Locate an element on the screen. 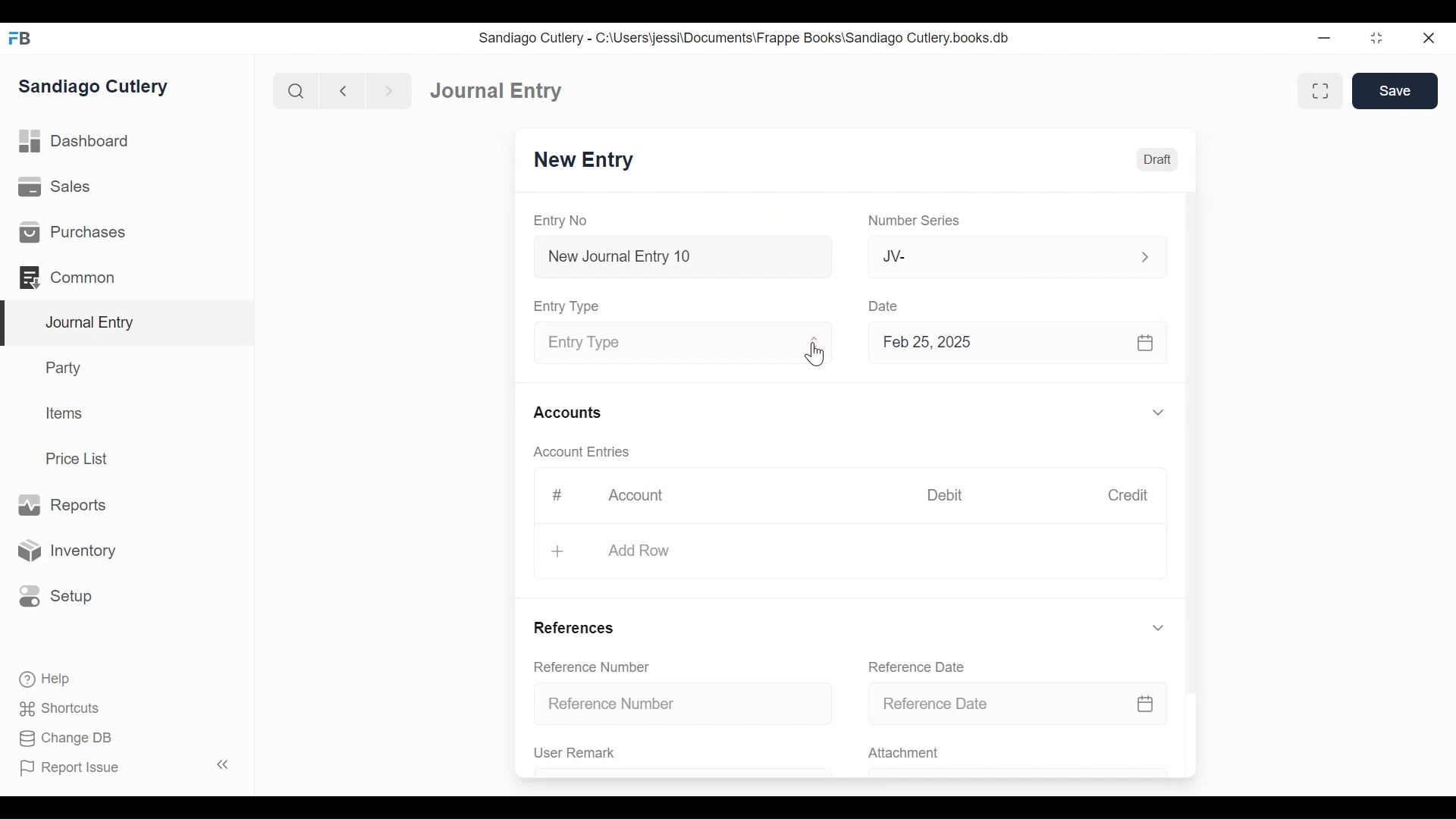 Image resolution: width=1456 pixels, height=819 pixels. Common is located at coordinates (68, 276).